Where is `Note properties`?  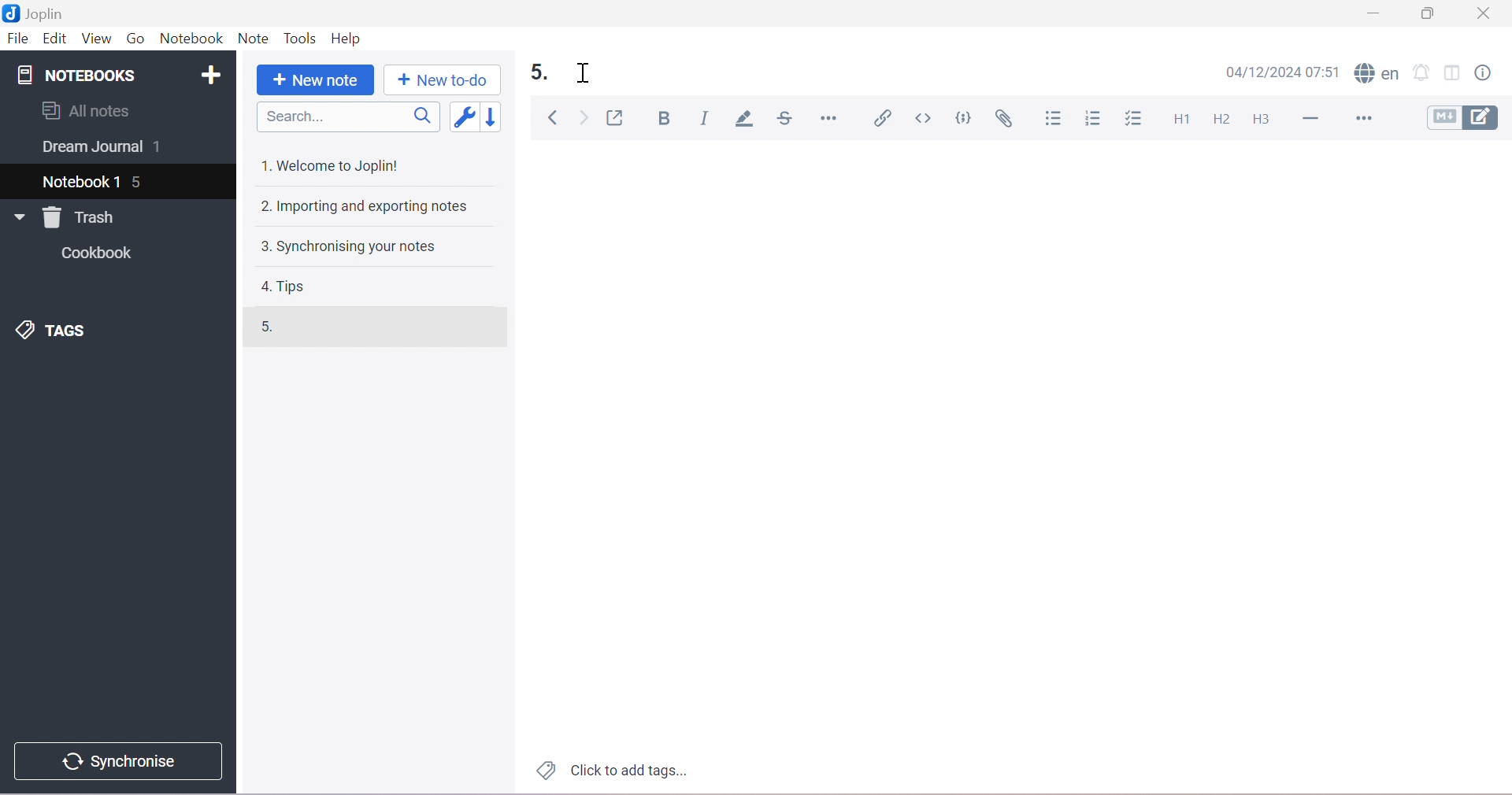
Note properties is located at coordinates (1490, 72).